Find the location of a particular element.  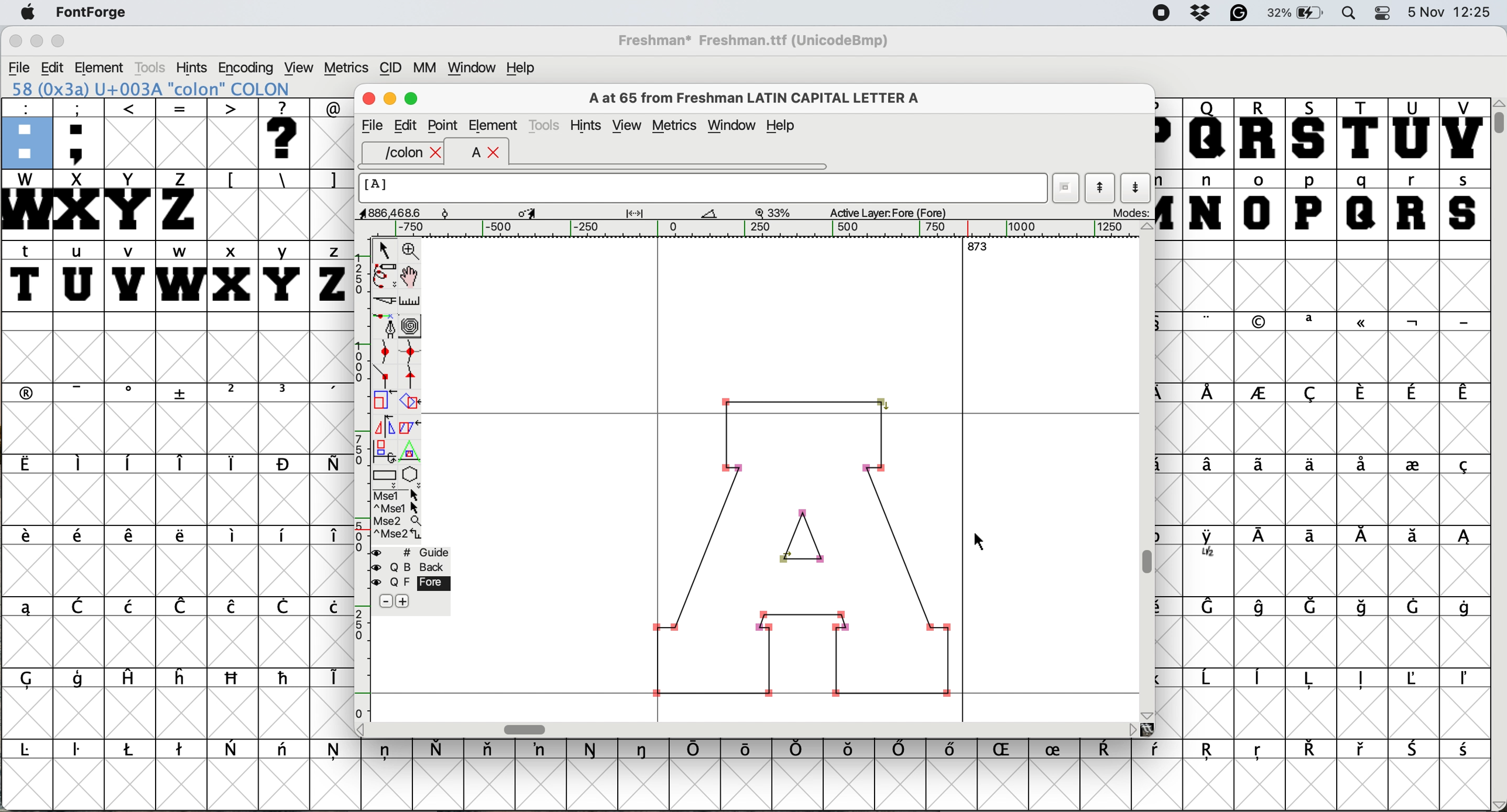

> is located at coordinates (234, 133).